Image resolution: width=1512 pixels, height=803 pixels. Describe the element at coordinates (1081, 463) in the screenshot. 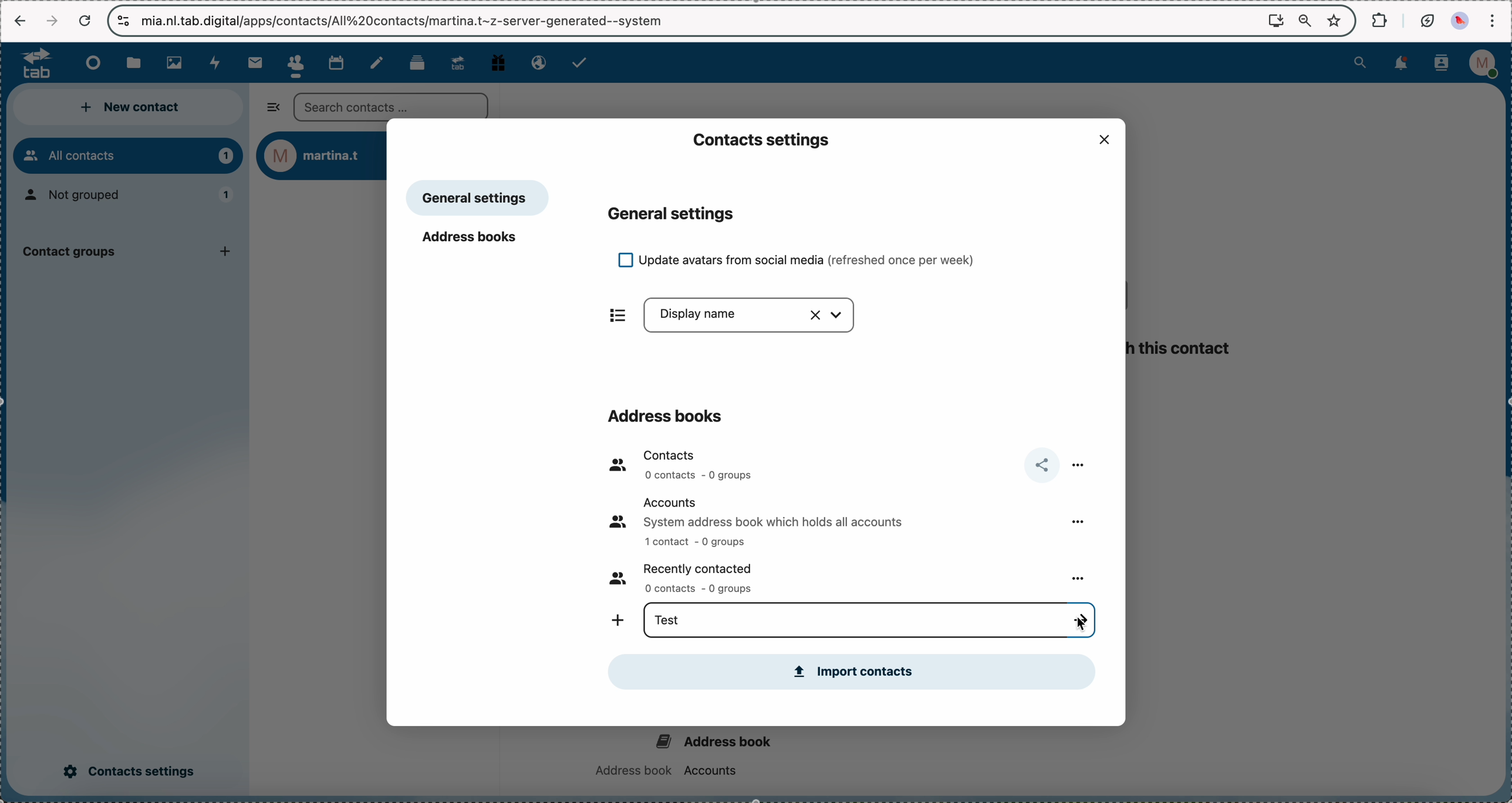

I see `more options` at that location.